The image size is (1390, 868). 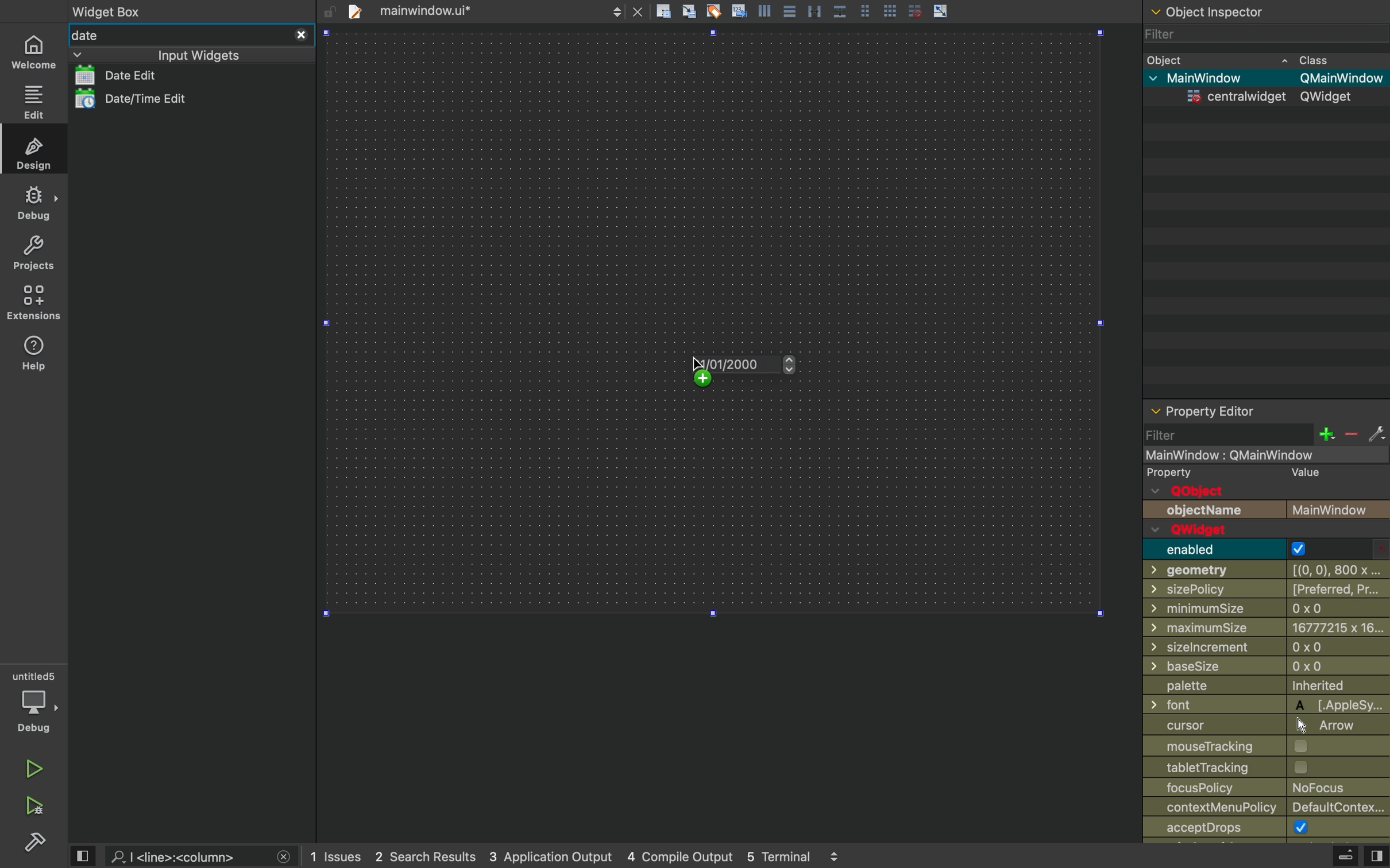 What do you see at coordinates (638, 10) in the screenshot?
I see `close` at bounding box center [638, 10].